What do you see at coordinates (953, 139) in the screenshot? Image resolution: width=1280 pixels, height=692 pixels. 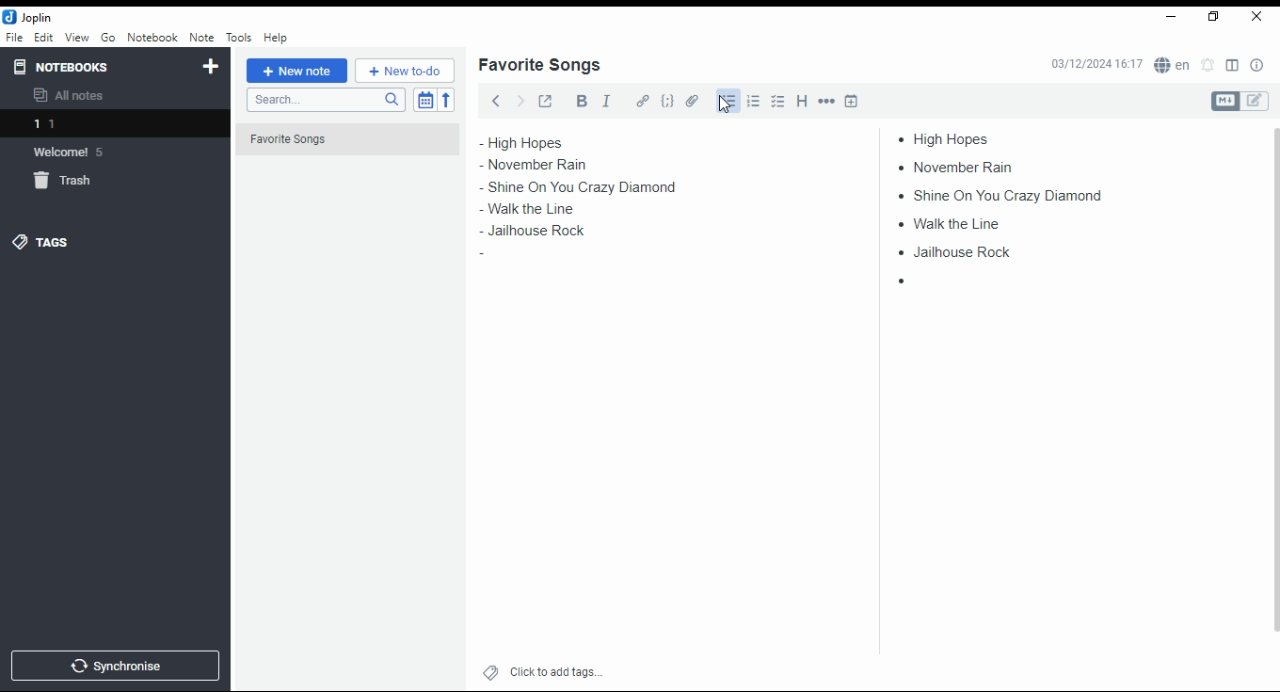 I see `high hopes` at bounding box center [953, 139].